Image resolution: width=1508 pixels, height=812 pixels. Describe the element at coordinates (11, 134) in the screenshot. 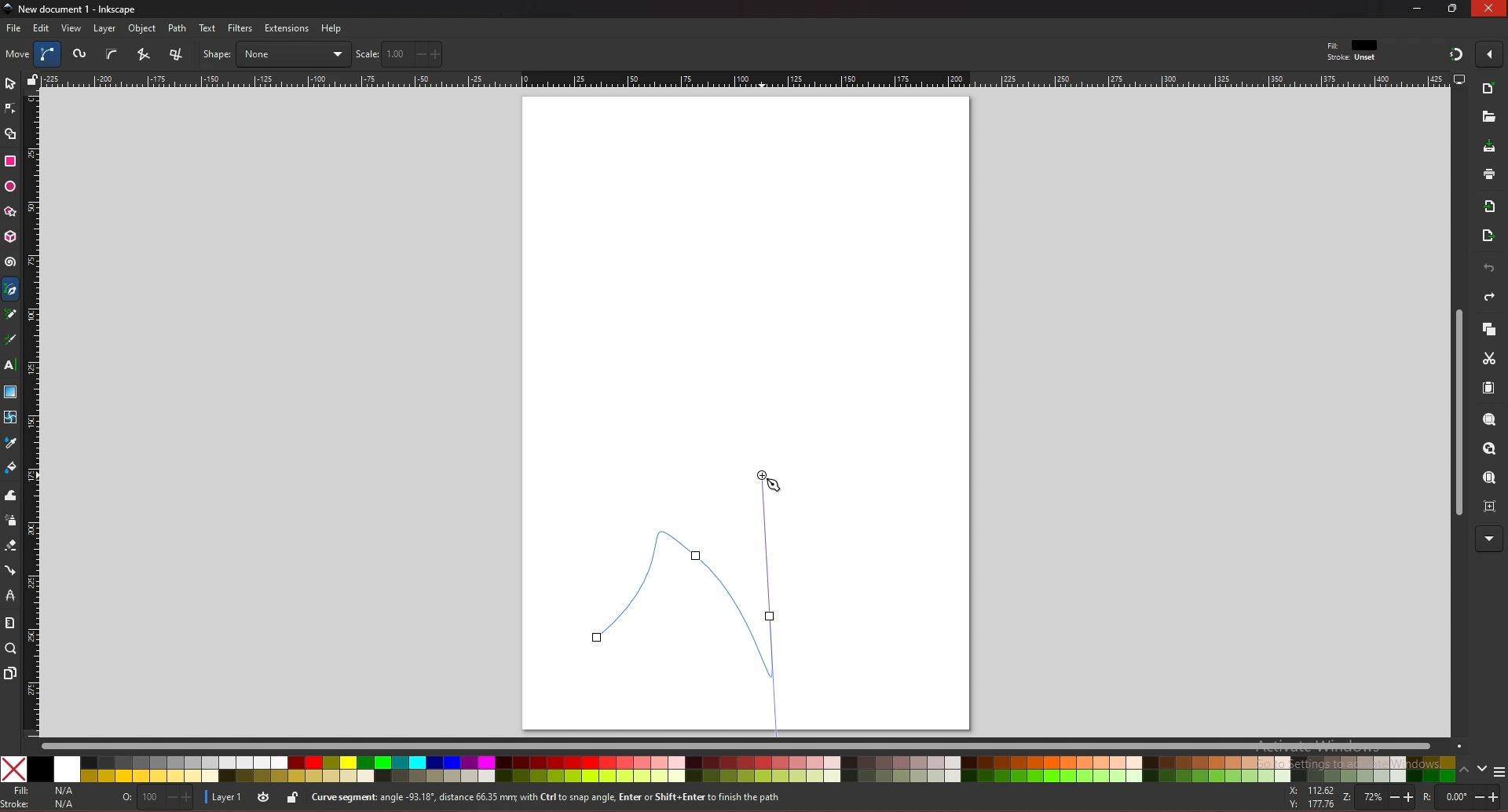

I see `shape builder` at that location.